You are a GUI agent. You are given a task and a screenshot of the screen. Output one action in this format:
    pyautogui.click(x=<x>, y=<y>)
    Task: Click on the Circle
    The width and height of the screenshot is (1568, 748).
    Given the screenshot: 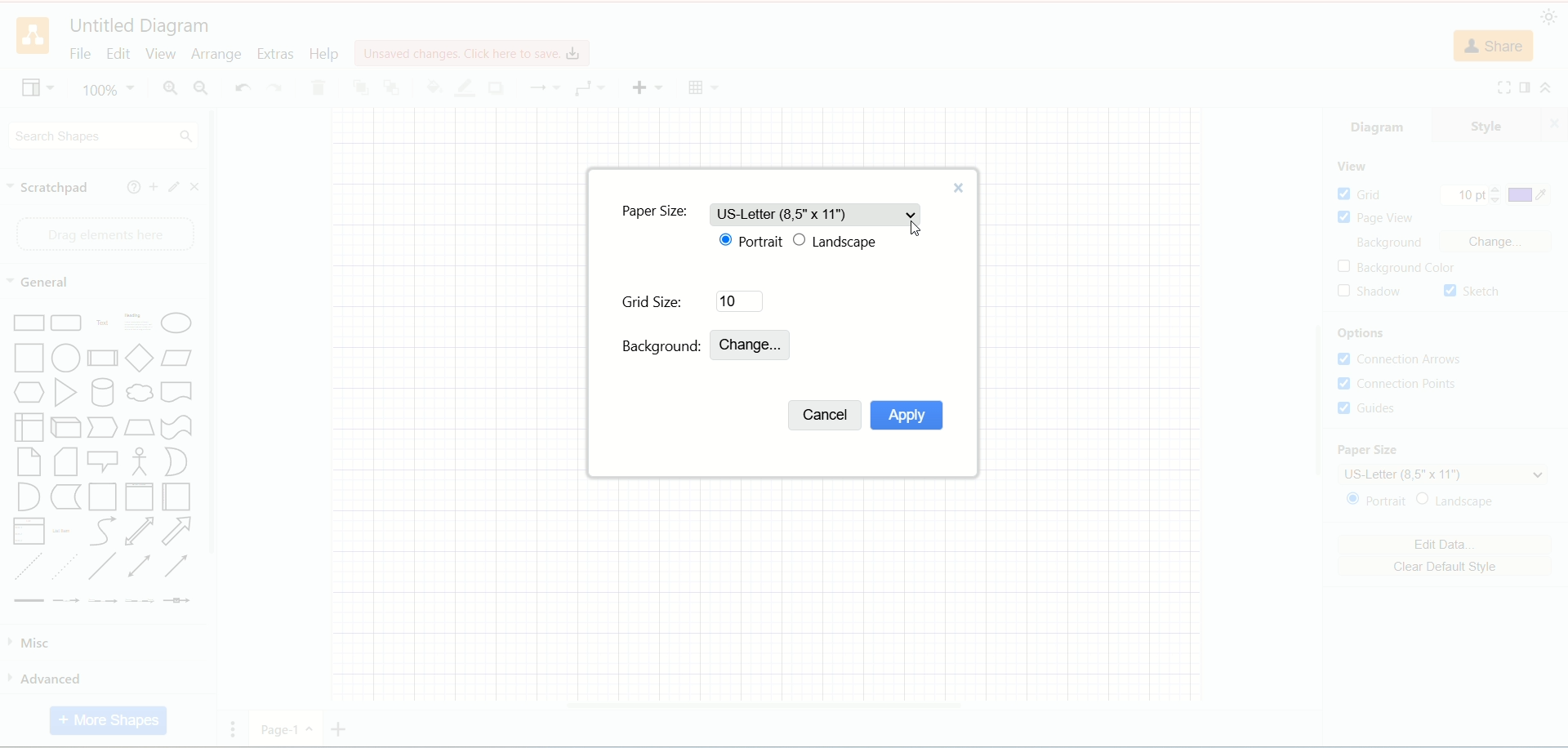 What is the action you would take?
    pyautogui.click(x=68, y=359)
    